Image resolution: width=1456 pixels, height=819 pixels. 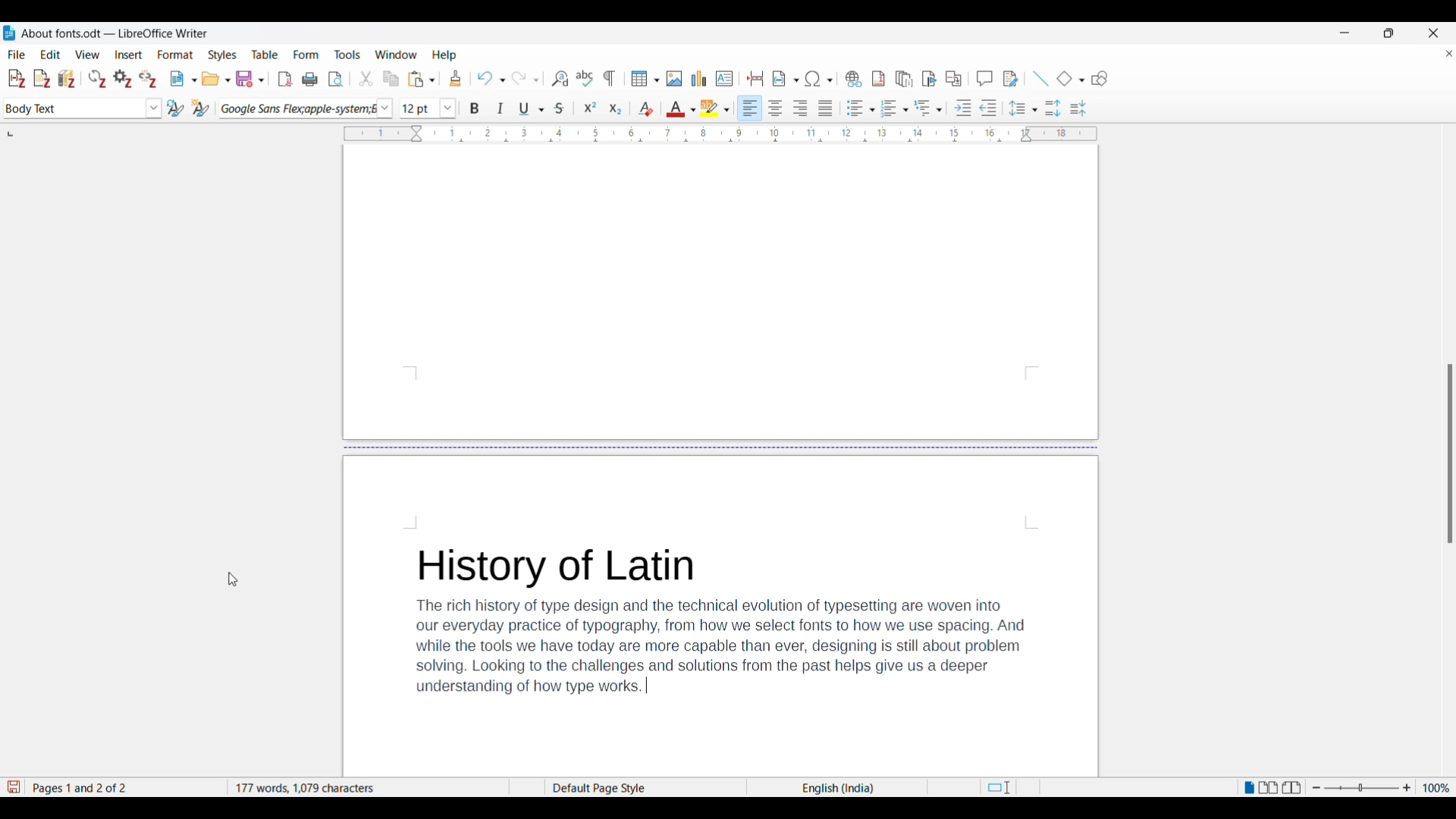 I want to click on Clone formatting, so click(x=456, y=78).